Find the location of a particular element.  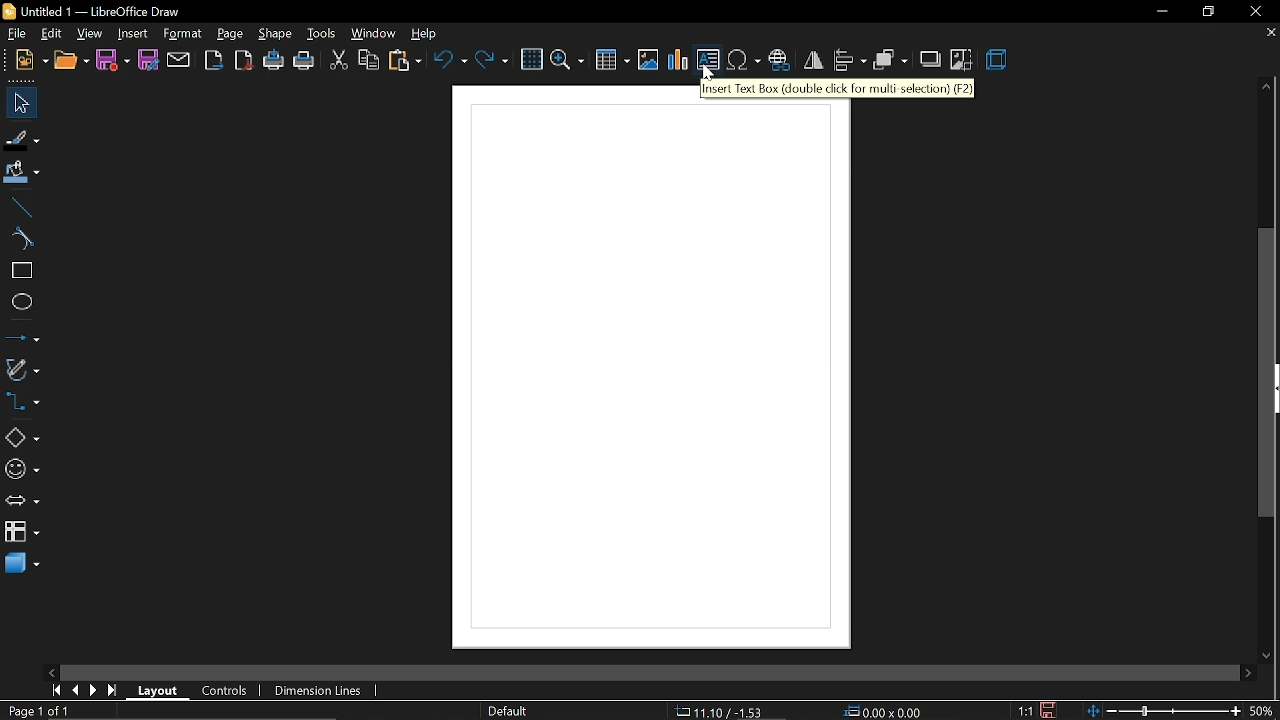

undo is located at coordinates (450, 59).